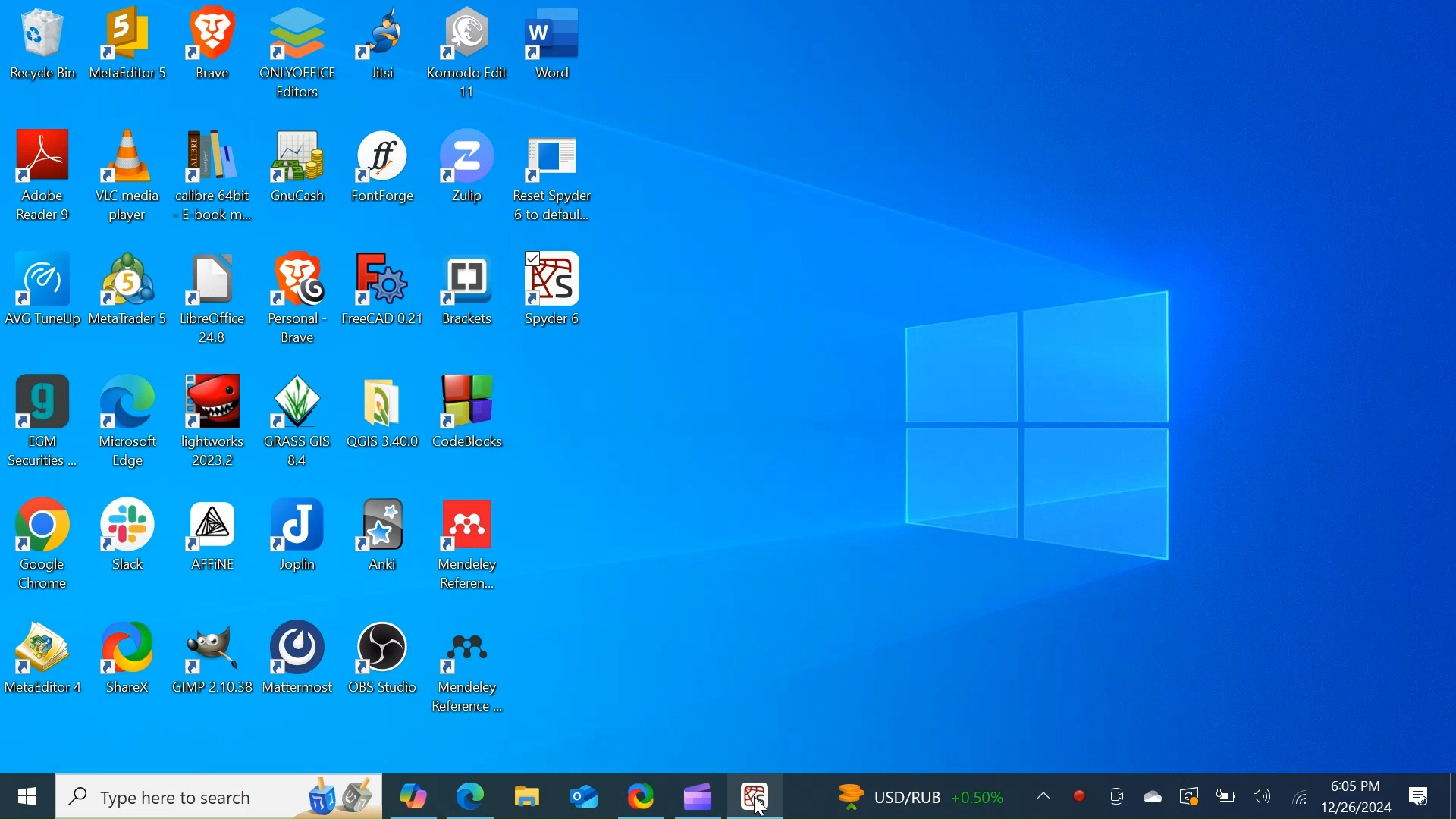 The width and height of the screenshot is (1456, 819). Describe the element at coordinates (469, 546) in the screenshot. I see `Mendeley Reference Manager` at that location.